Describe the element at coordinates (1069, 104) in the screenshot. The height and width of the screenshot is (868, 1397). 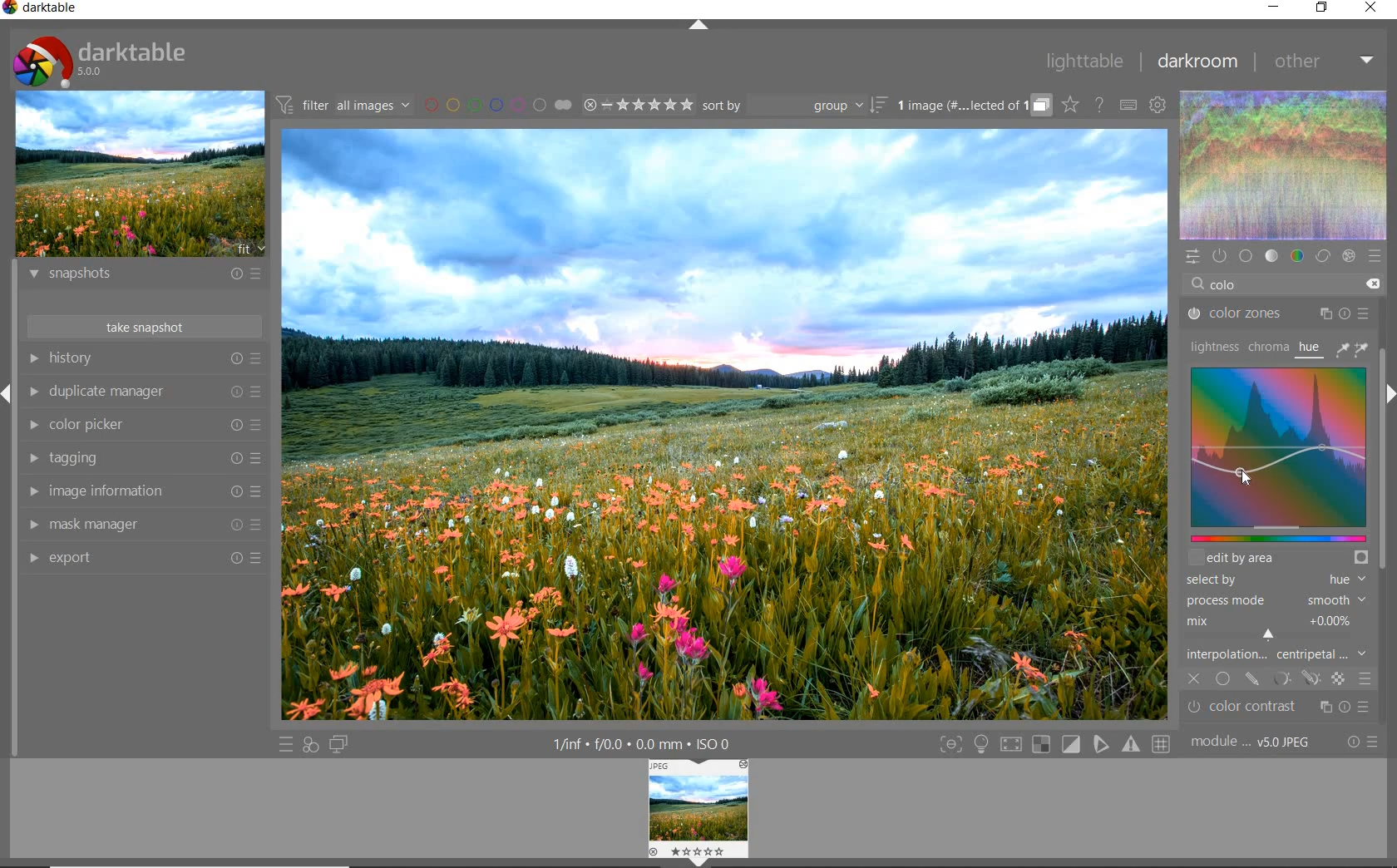
I see `click to change overlays on thumbnails` at that location.